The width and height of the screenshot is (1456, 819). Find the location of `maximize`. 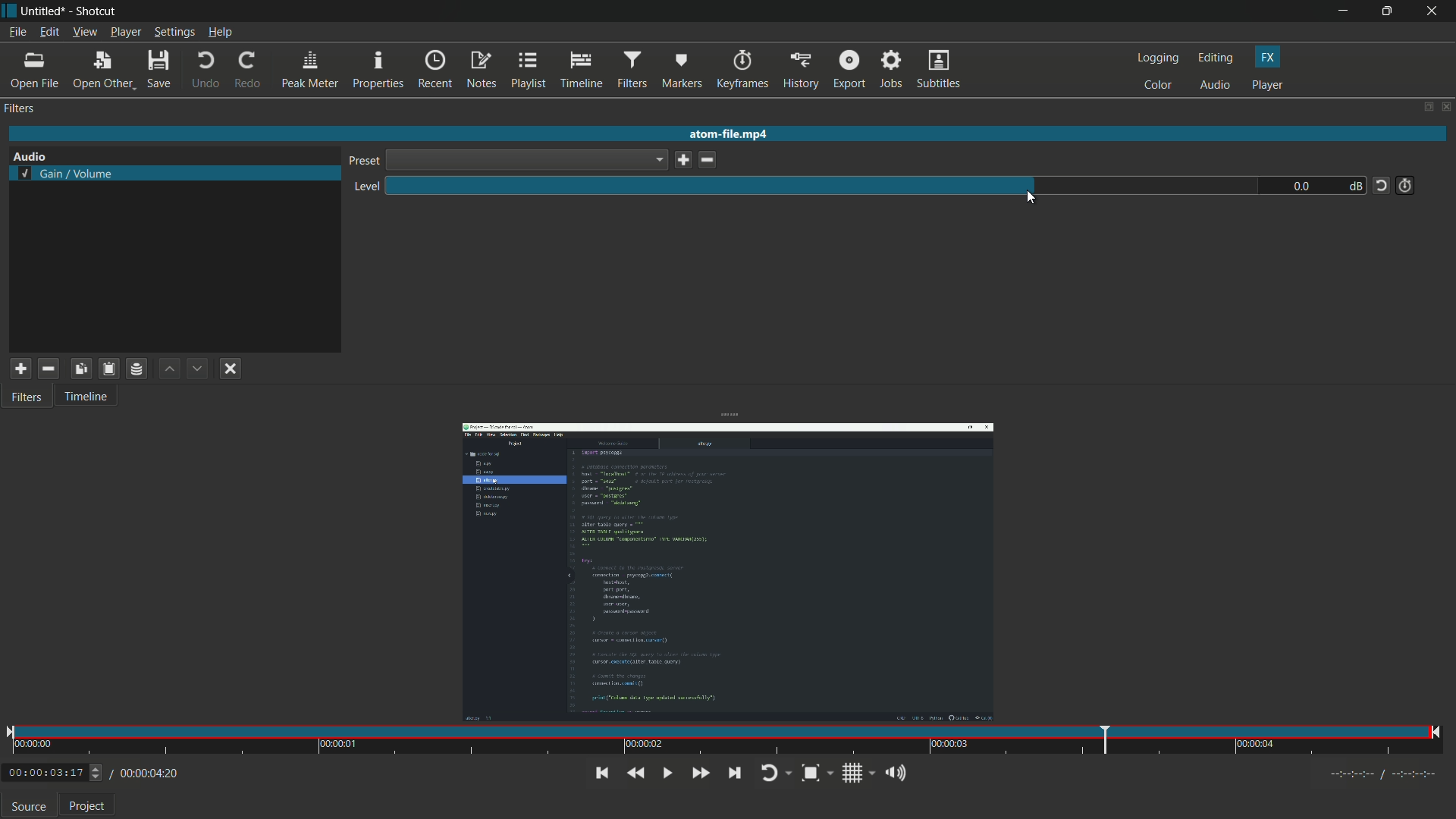

maximize is located at coordinates (1387, 11).